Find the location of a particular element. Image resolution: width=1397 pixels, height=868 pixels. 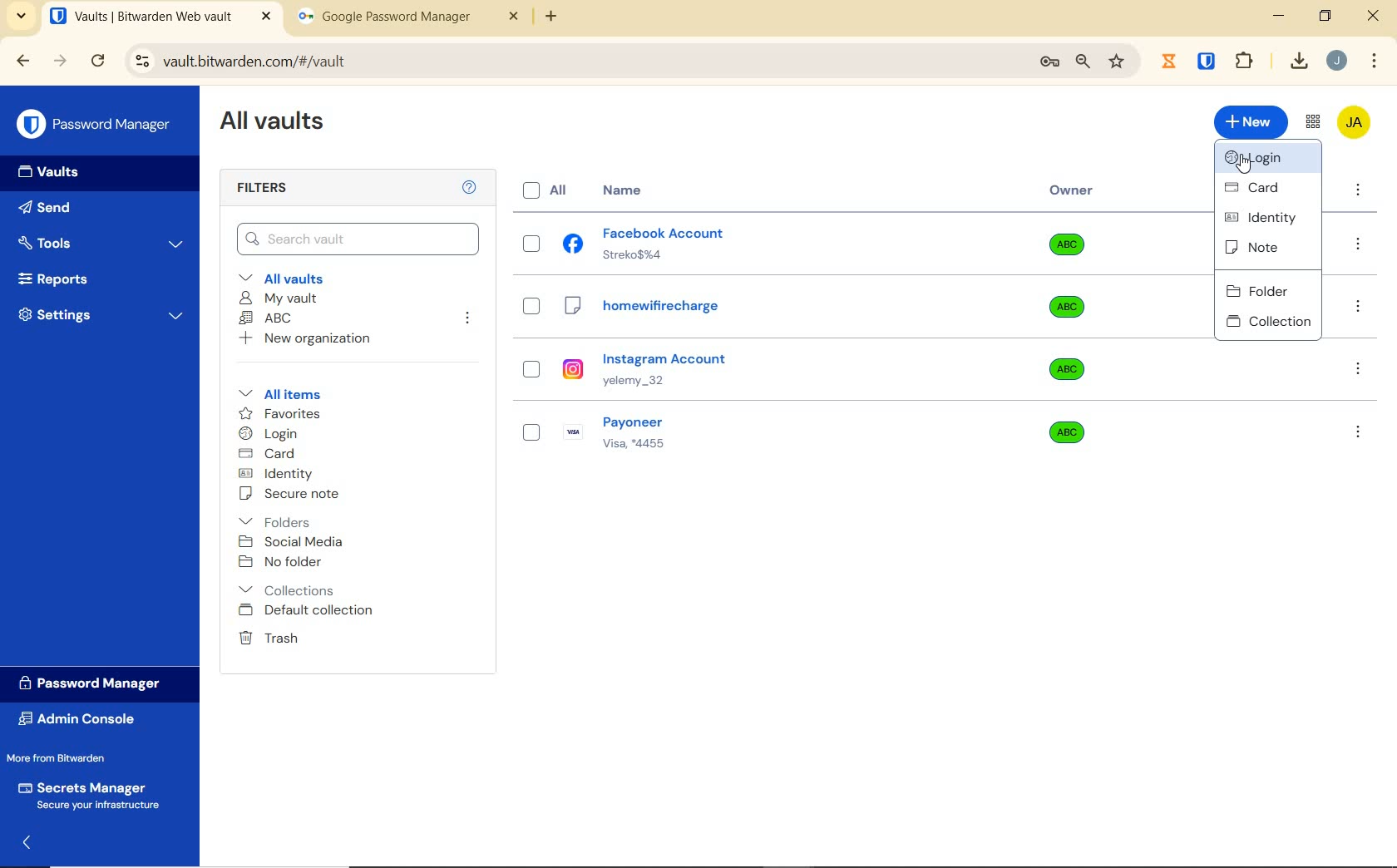

Folders is located at coordinates (278, 519).